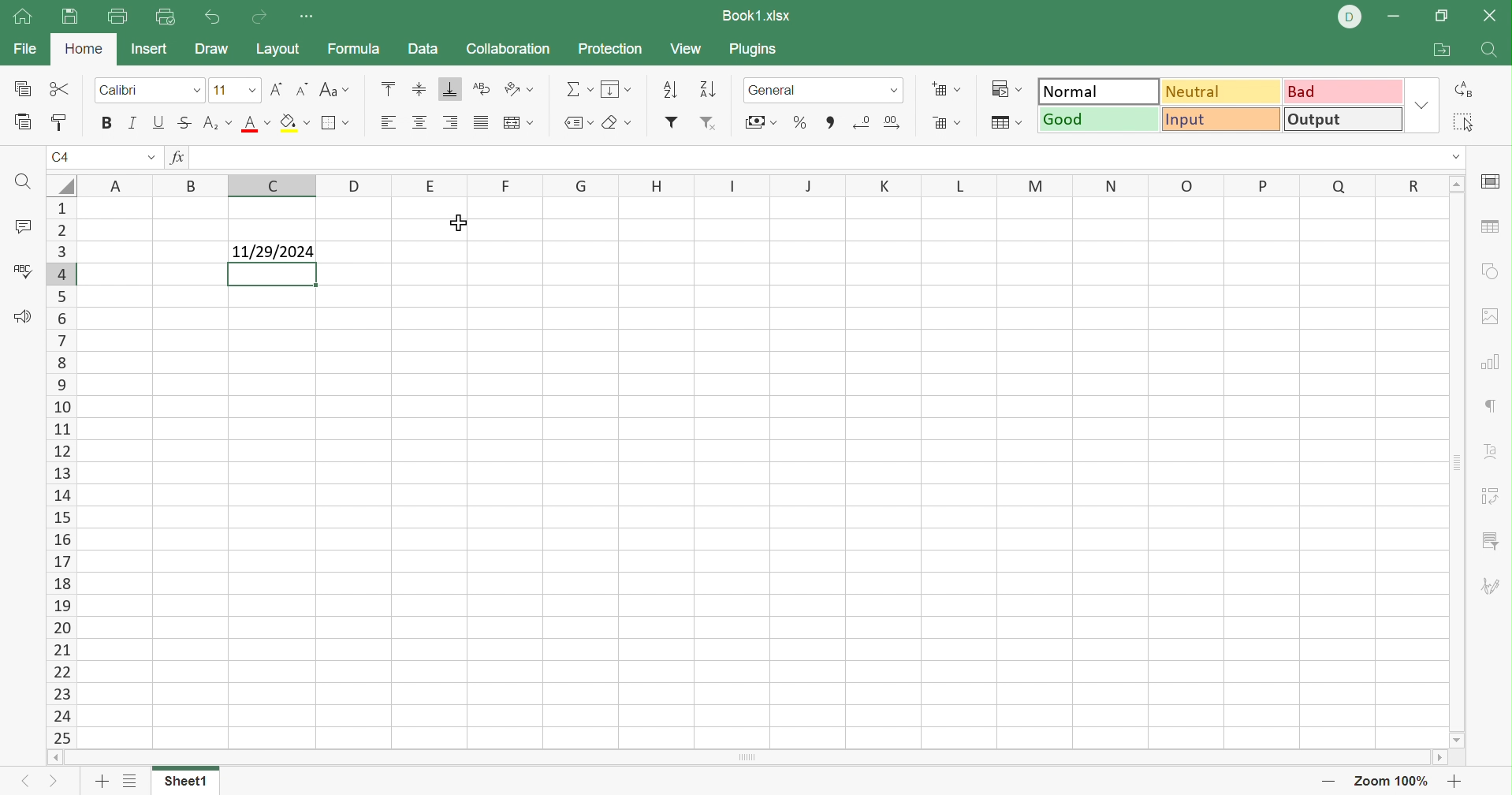 The height and width of the screenshot is (795, 1512). Describe the element at coordinates (1223, 94) in the screenshot. I see `Neutral` at that location.